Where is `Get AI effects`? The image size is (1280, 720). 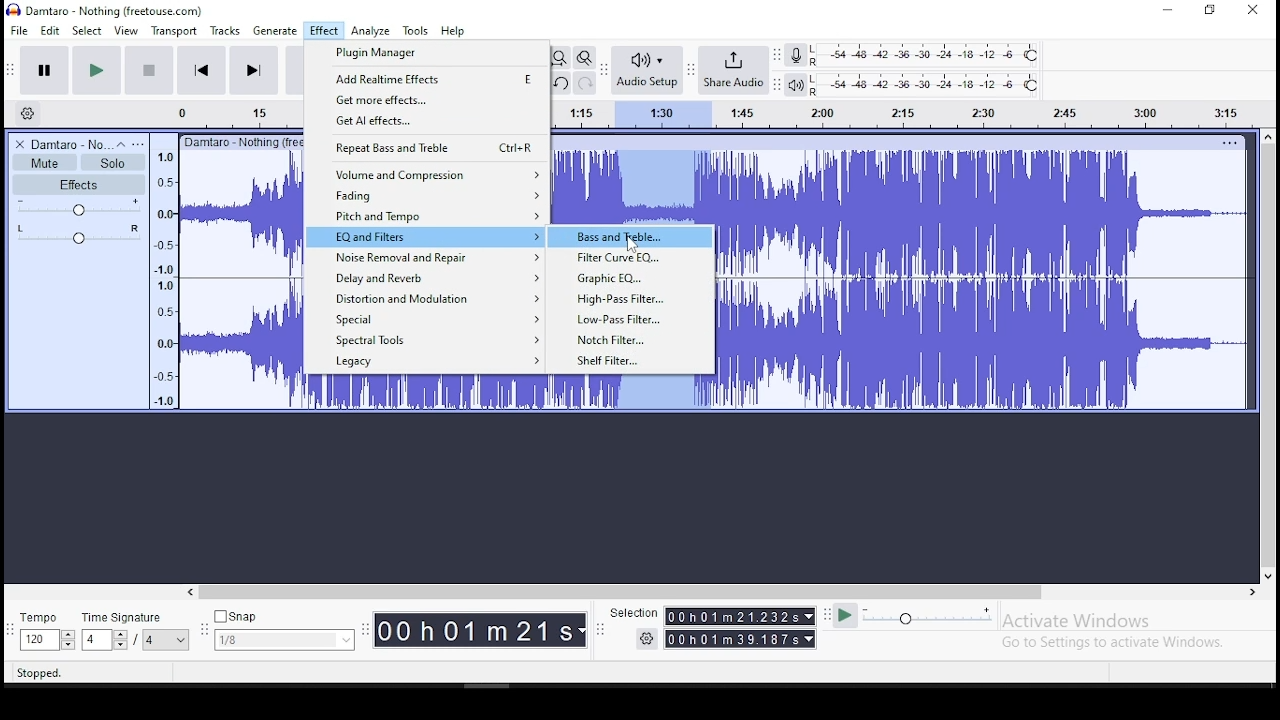
Get AI effects is located at coordinates (427, 121).